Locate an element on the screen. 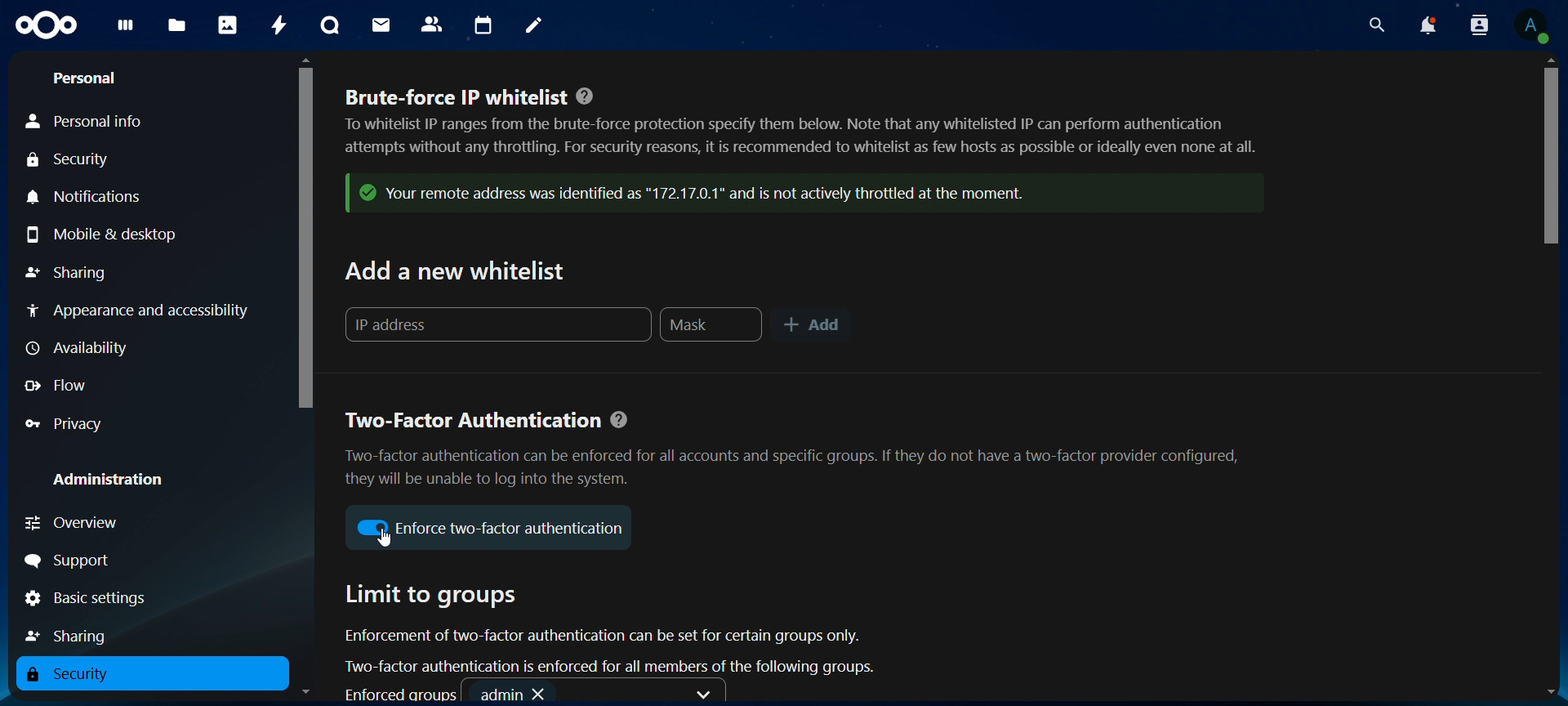  haring is located at coordinates (72, 636).